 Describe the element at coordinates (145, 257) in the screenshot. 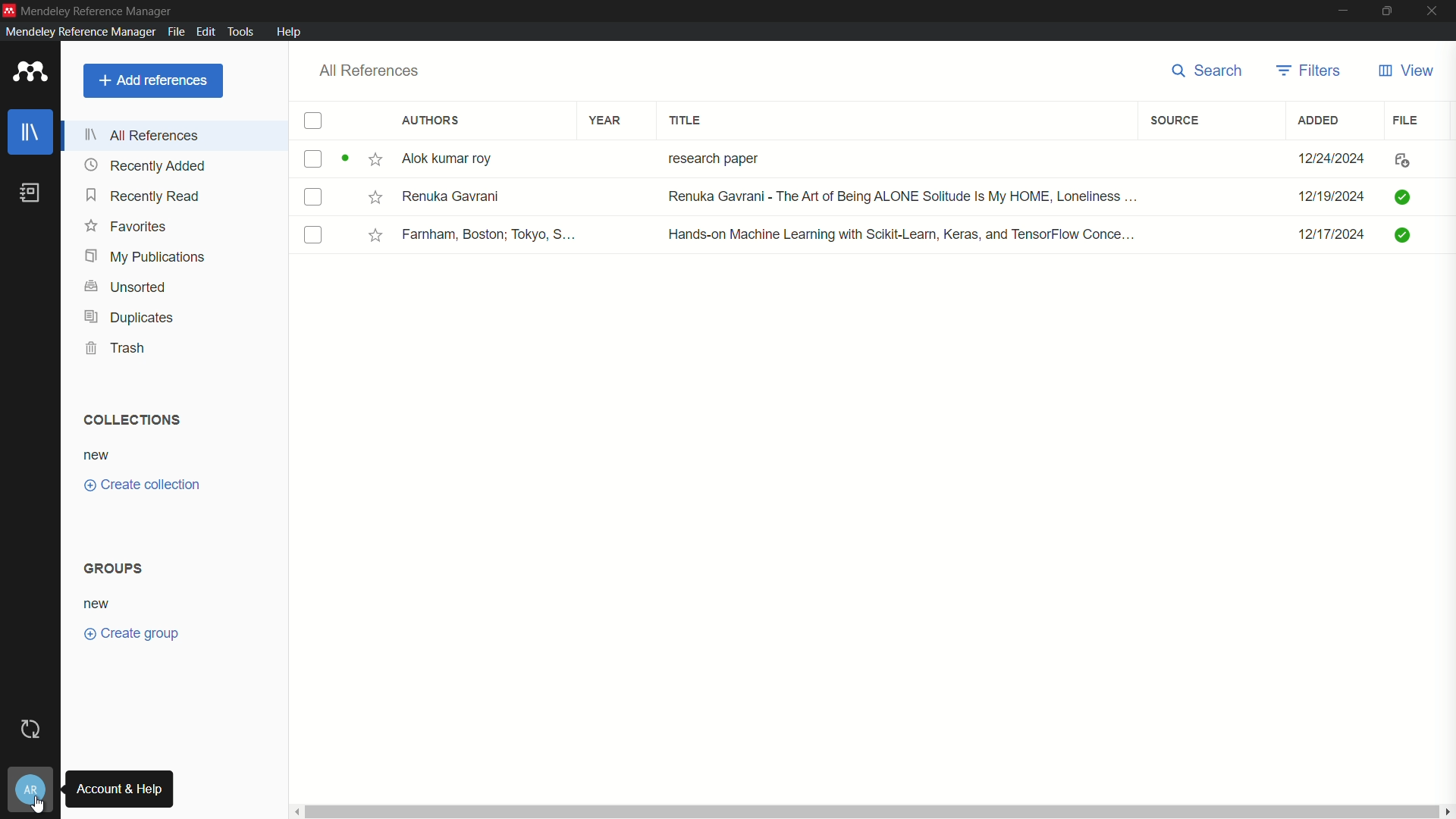

I see `my publications` at that location.